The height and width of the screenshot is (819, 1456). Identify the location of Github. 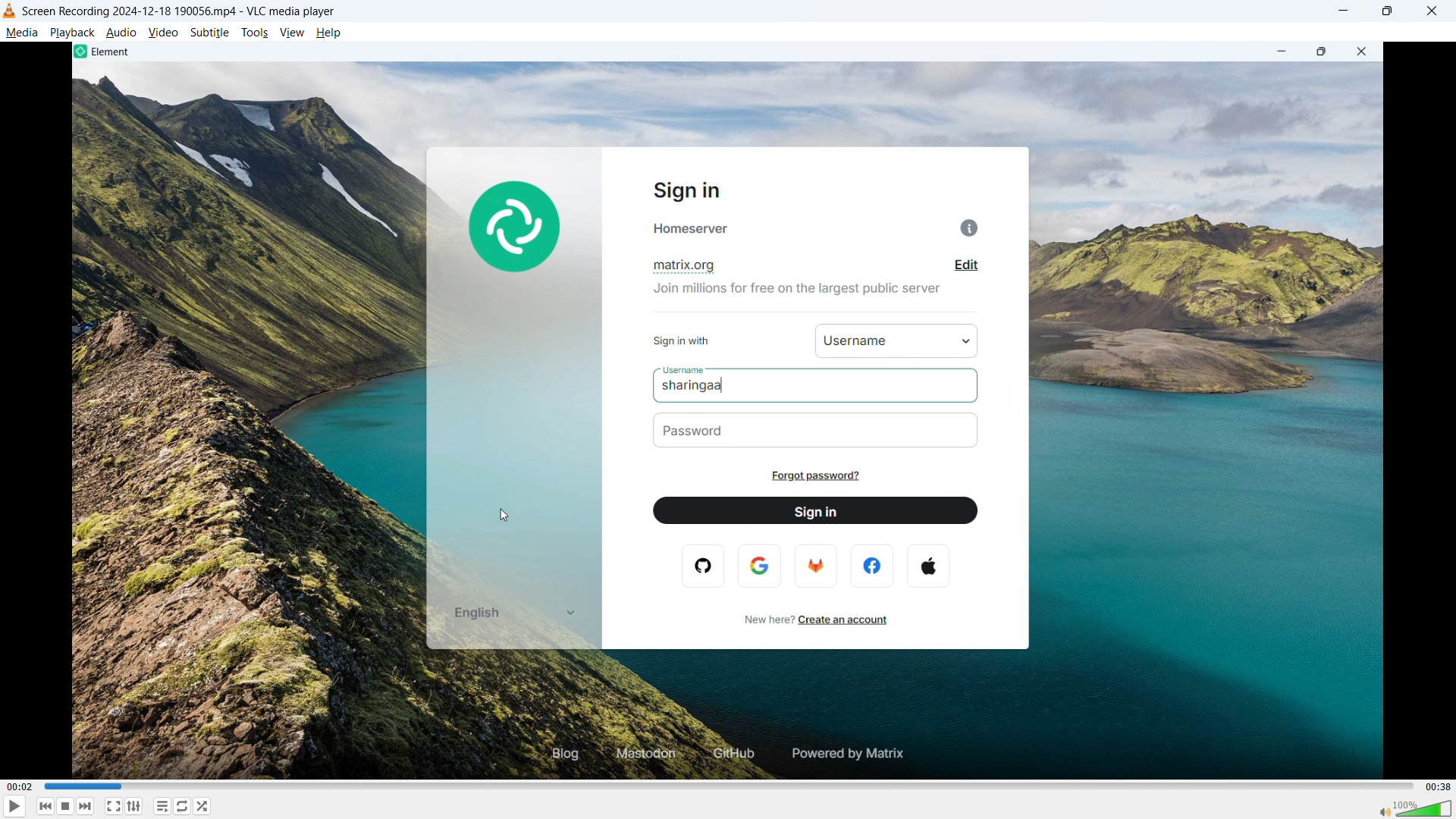
(708, 567).